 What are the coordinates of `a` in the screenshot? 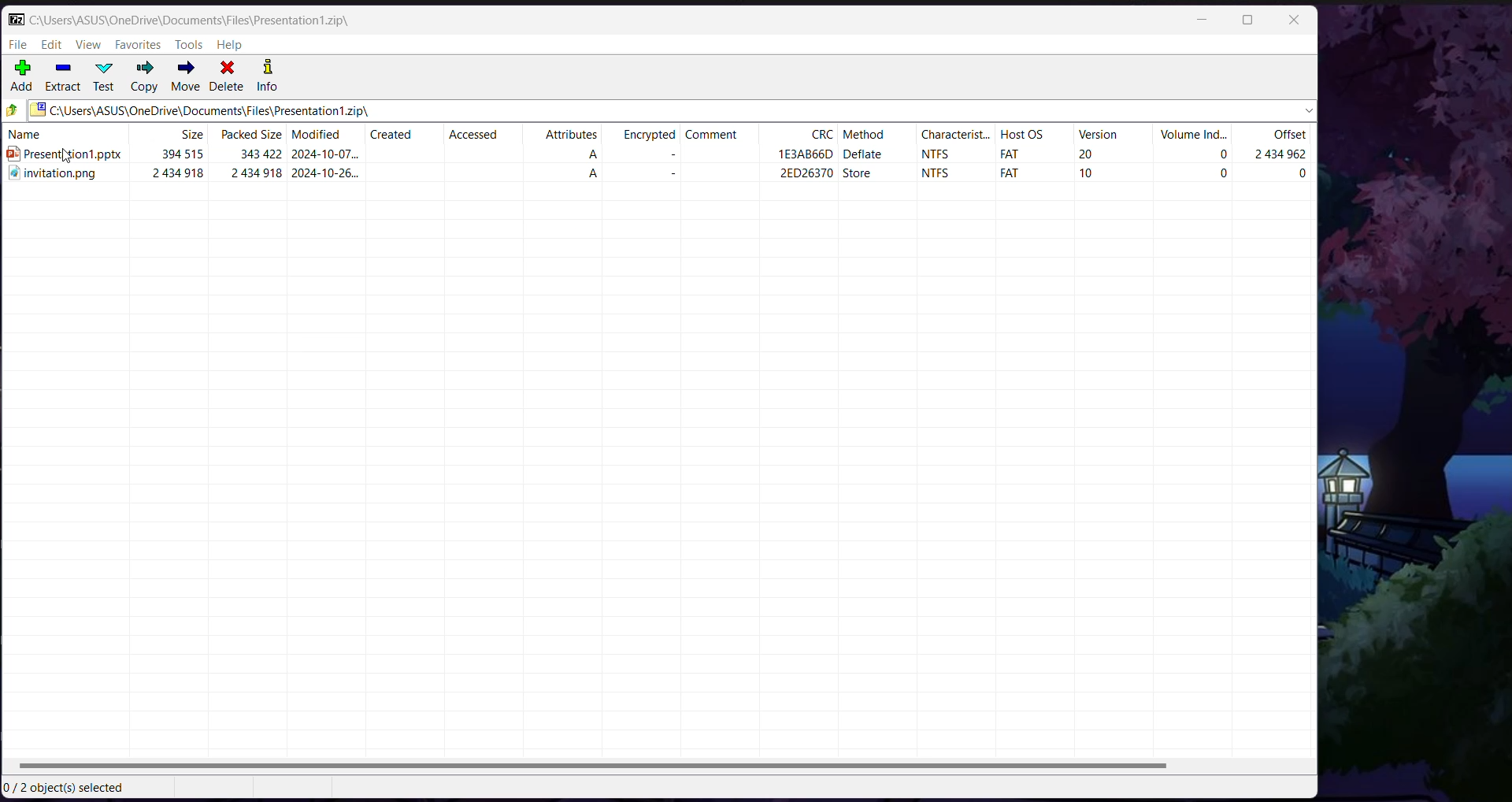 It's located at (602, 156).